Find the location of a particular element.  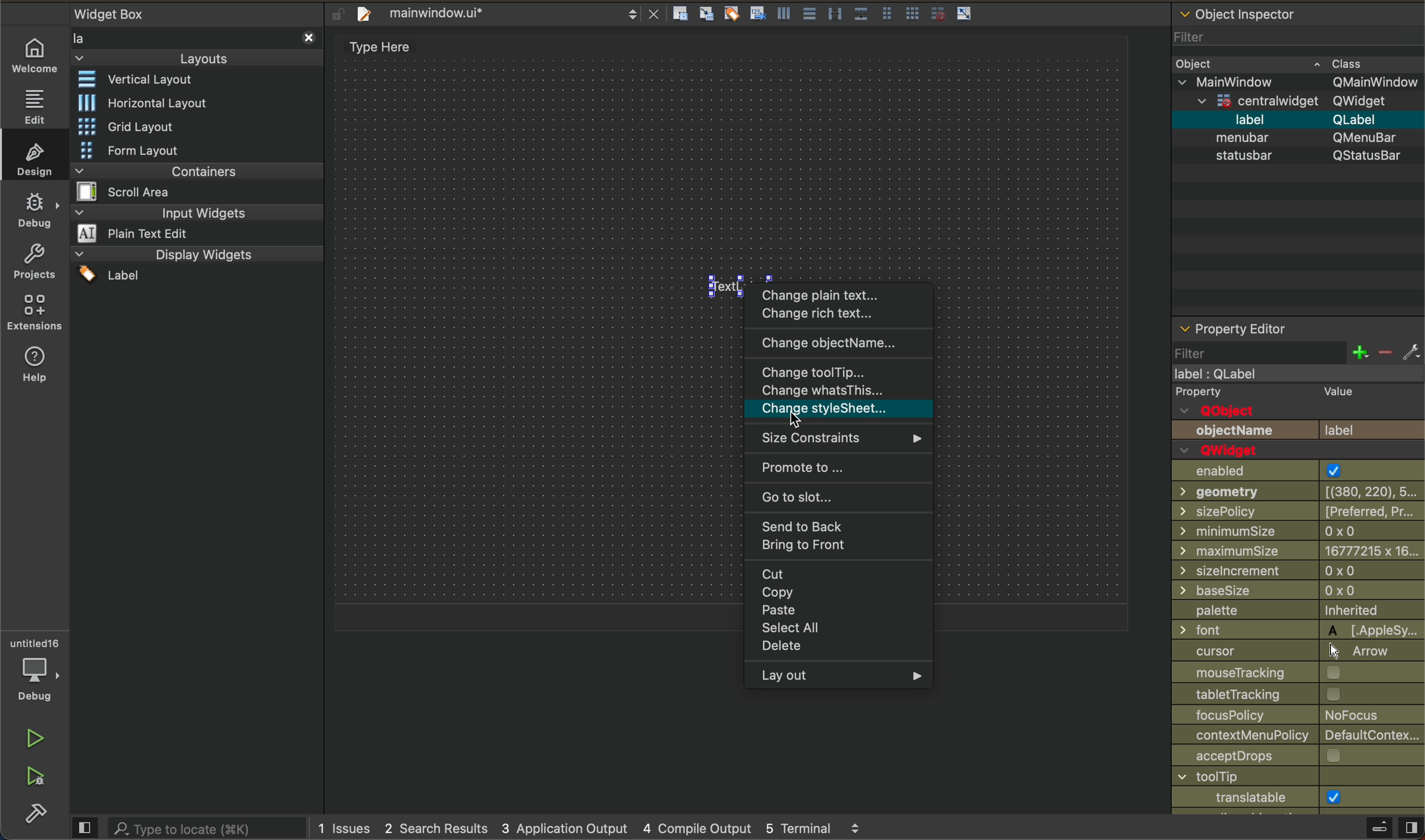

go to slot is located at coordinates (845, 497).